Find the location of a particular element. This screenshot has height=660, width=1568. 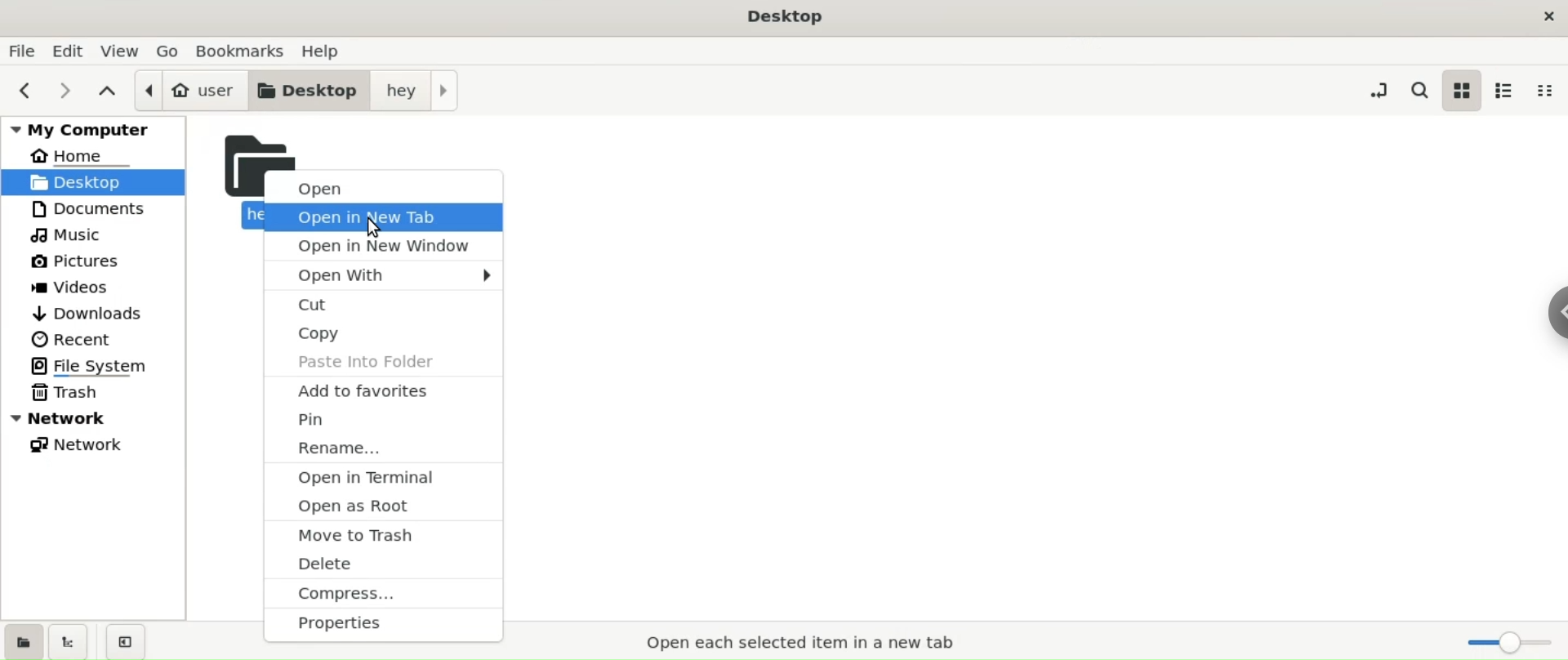

open selected item in new tab is located at coordinates (801, 642).